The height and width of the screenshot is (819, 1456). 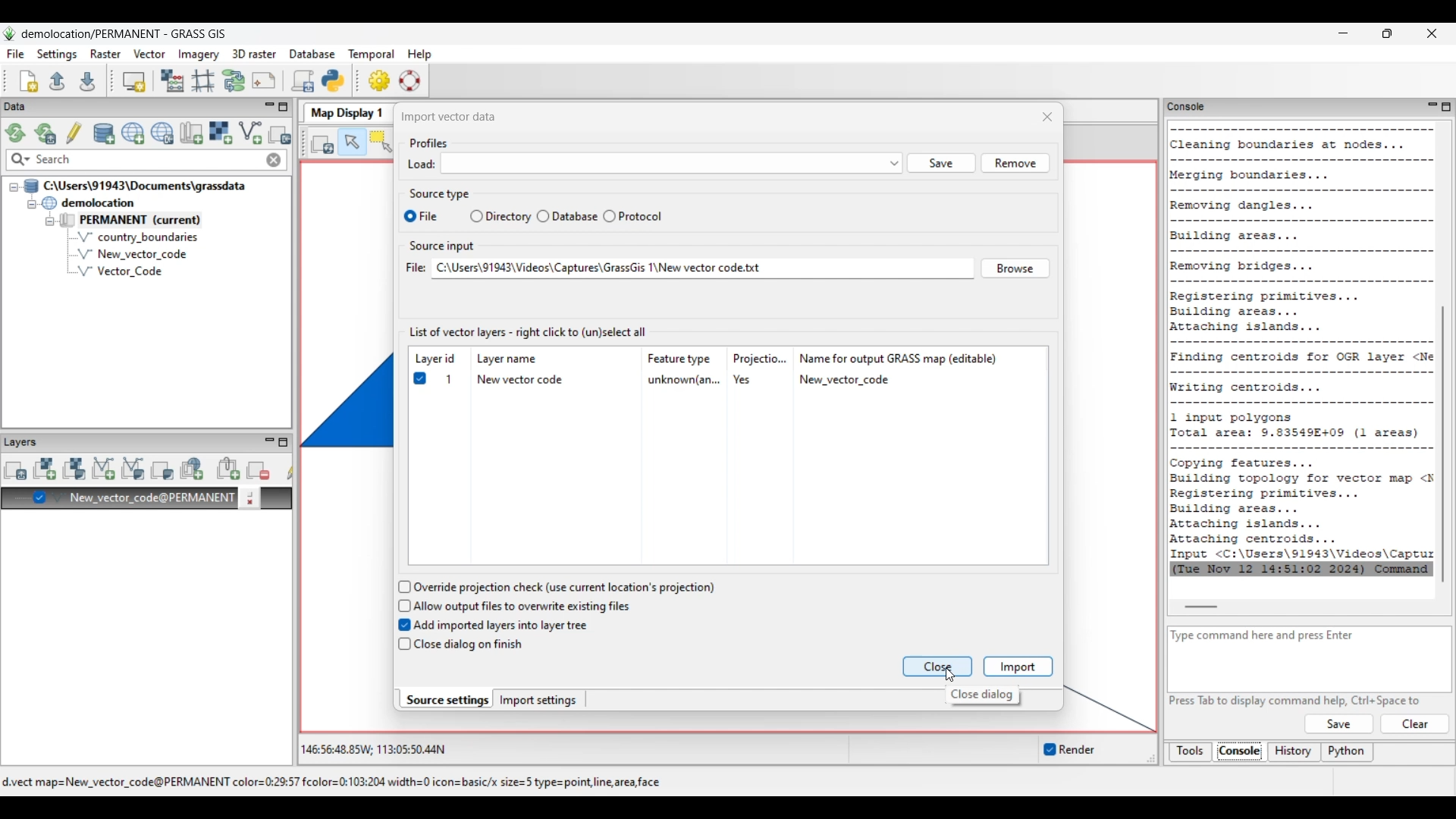 What do you see at coordinates (74, 469) in the screenshot?
I see `Add various raster map layers` at bounding box center [74, 469].